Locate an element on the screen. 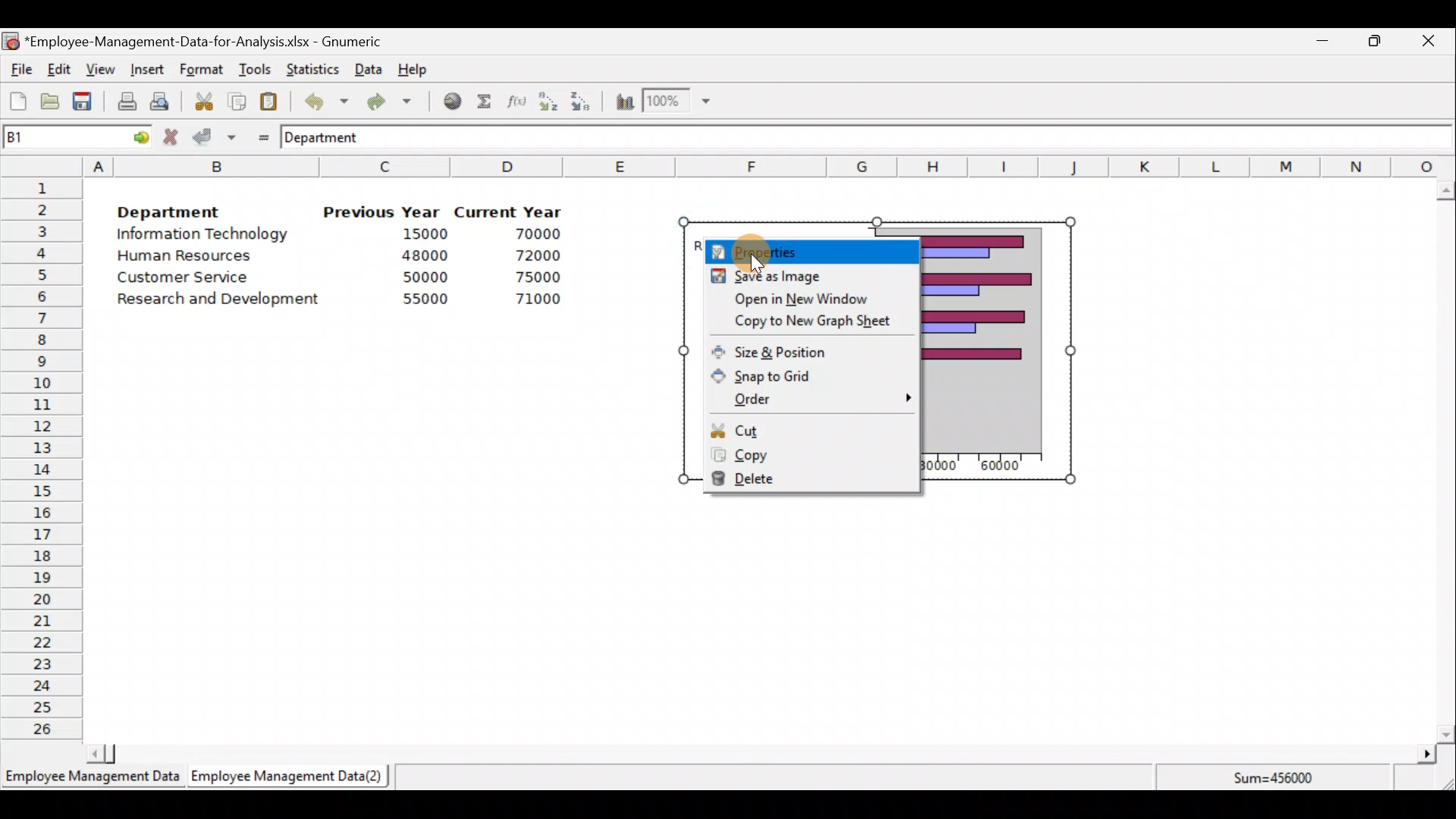 Image resolution: width=1456 pixels, height=819 pixels. 60000 is located at coordinates (1001, 467).